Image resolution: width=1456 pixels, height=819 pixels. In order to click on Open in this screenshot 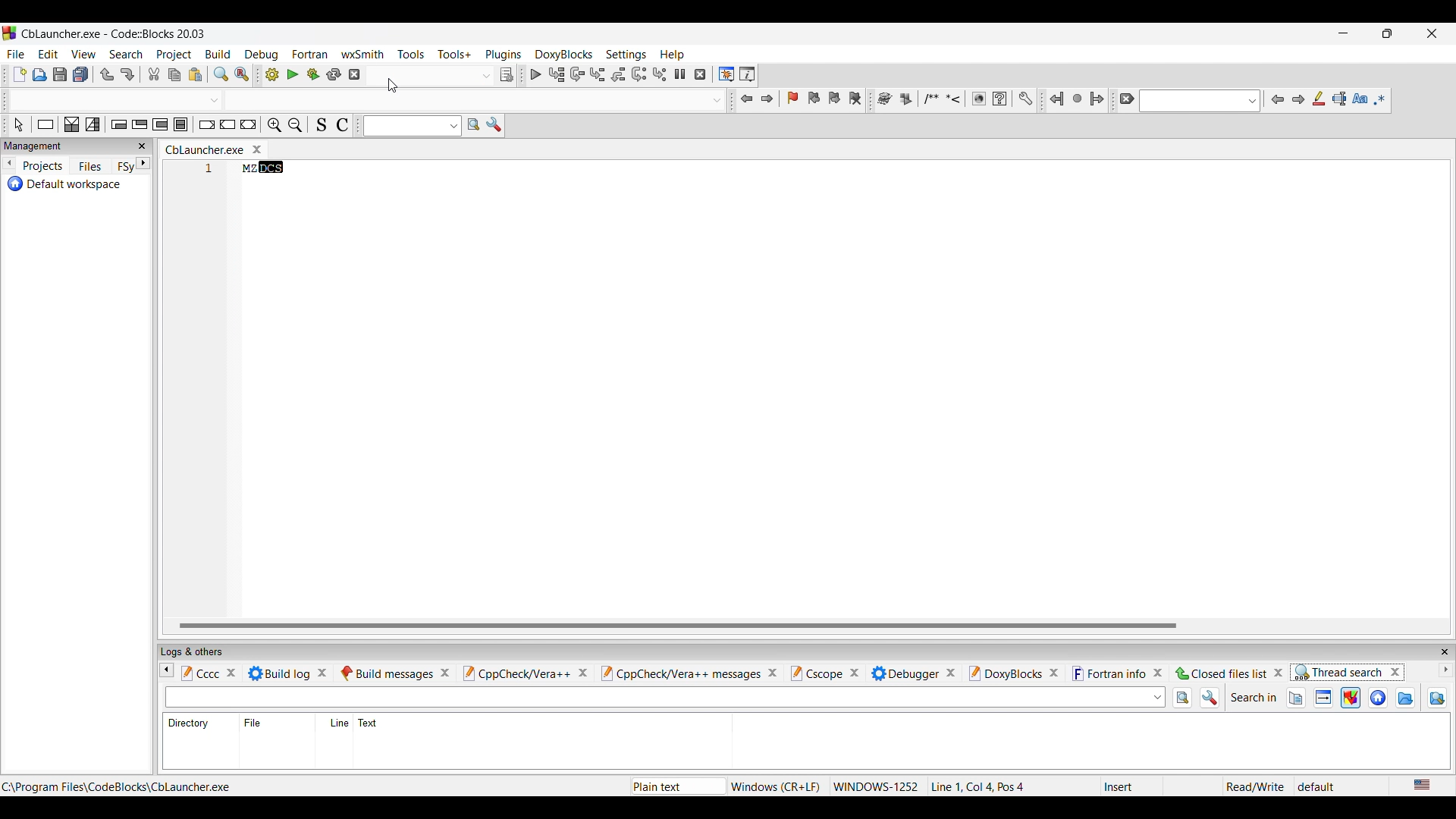, I will do `click(40, 75)`.